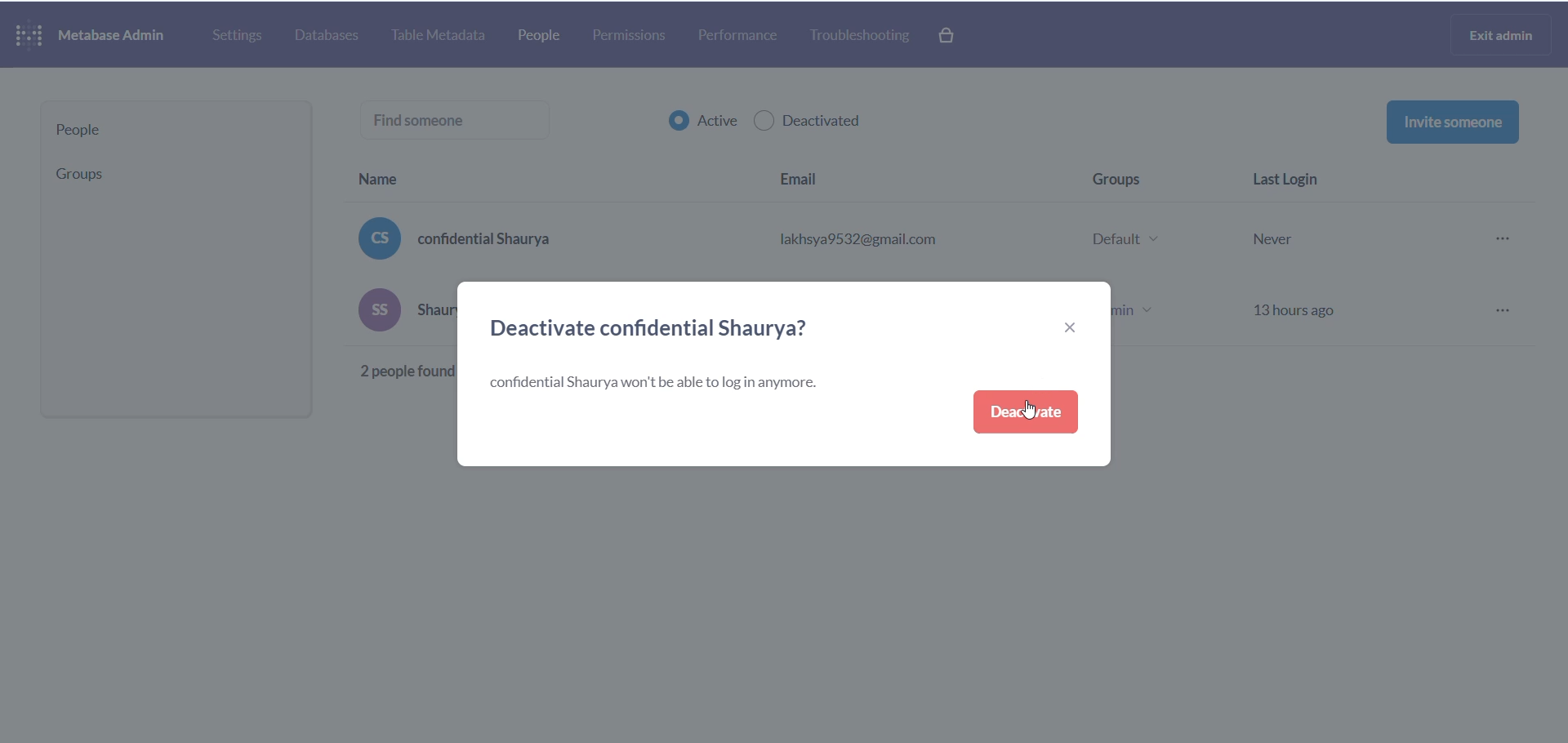 The image size is (1568, 743). What do you see at coordinates (1276, 242) in the screenshot?
I see `Never` at bounding box center [1276, 242].